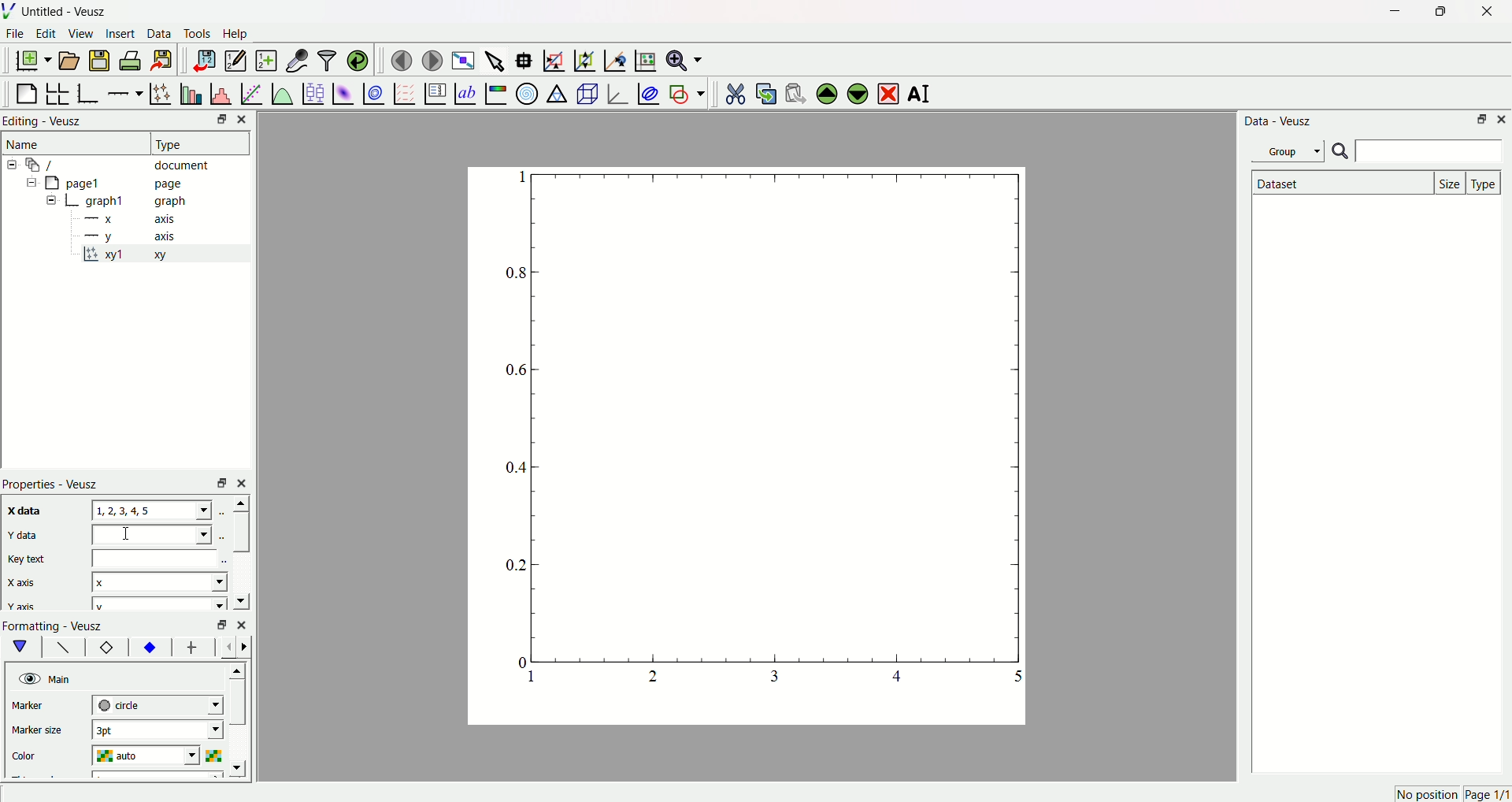 The image size is (1512, 802). What do you see at coordinates (102, 60) in the screenshot?
I see `save document` at bounding box center [102, 60].